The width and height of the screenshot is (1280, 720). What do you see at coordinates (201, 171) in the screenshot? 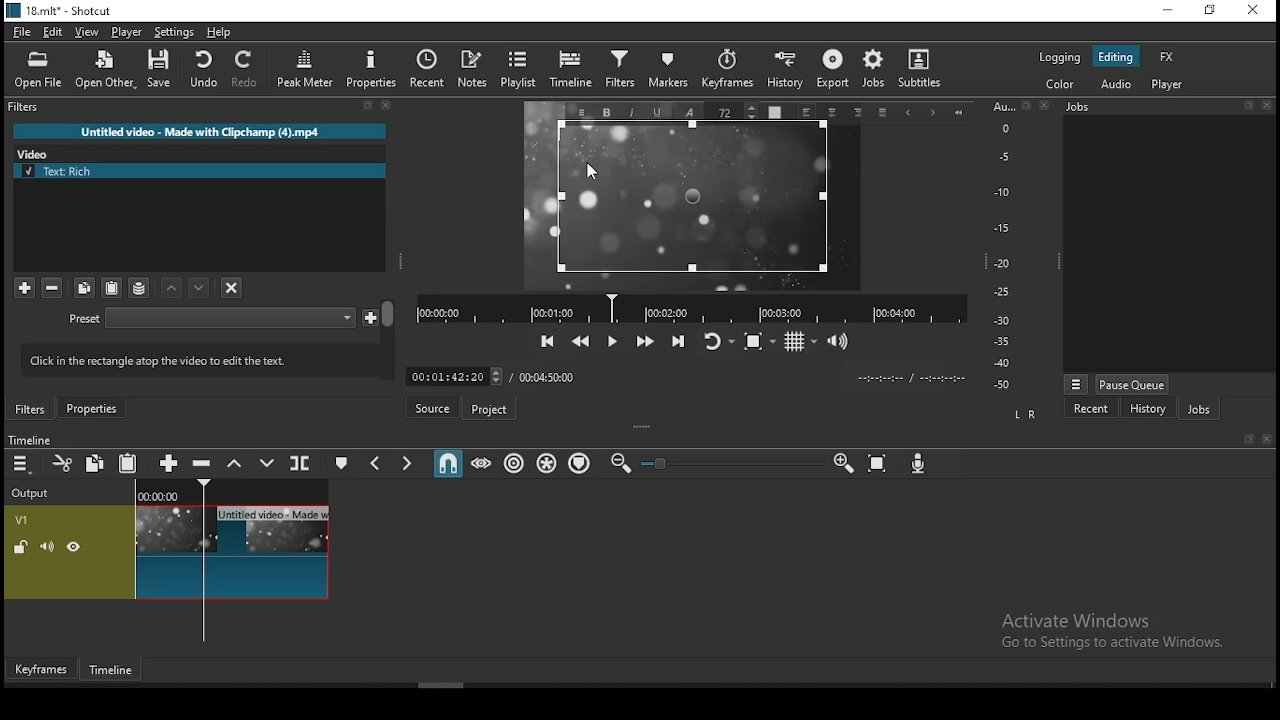
I see `text rich` at bounding box center [201, 171].